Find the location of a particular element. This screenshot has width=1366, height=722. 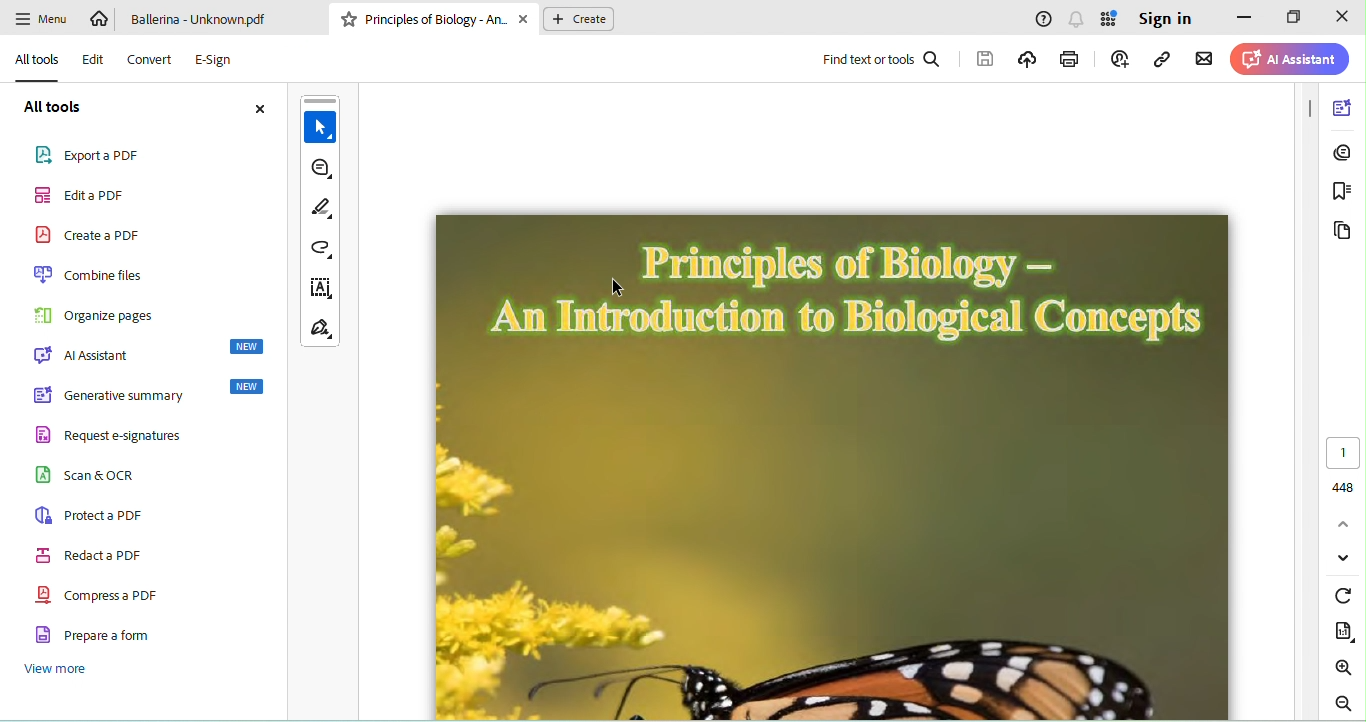

find text or tools is located at coordinates (882, 61).